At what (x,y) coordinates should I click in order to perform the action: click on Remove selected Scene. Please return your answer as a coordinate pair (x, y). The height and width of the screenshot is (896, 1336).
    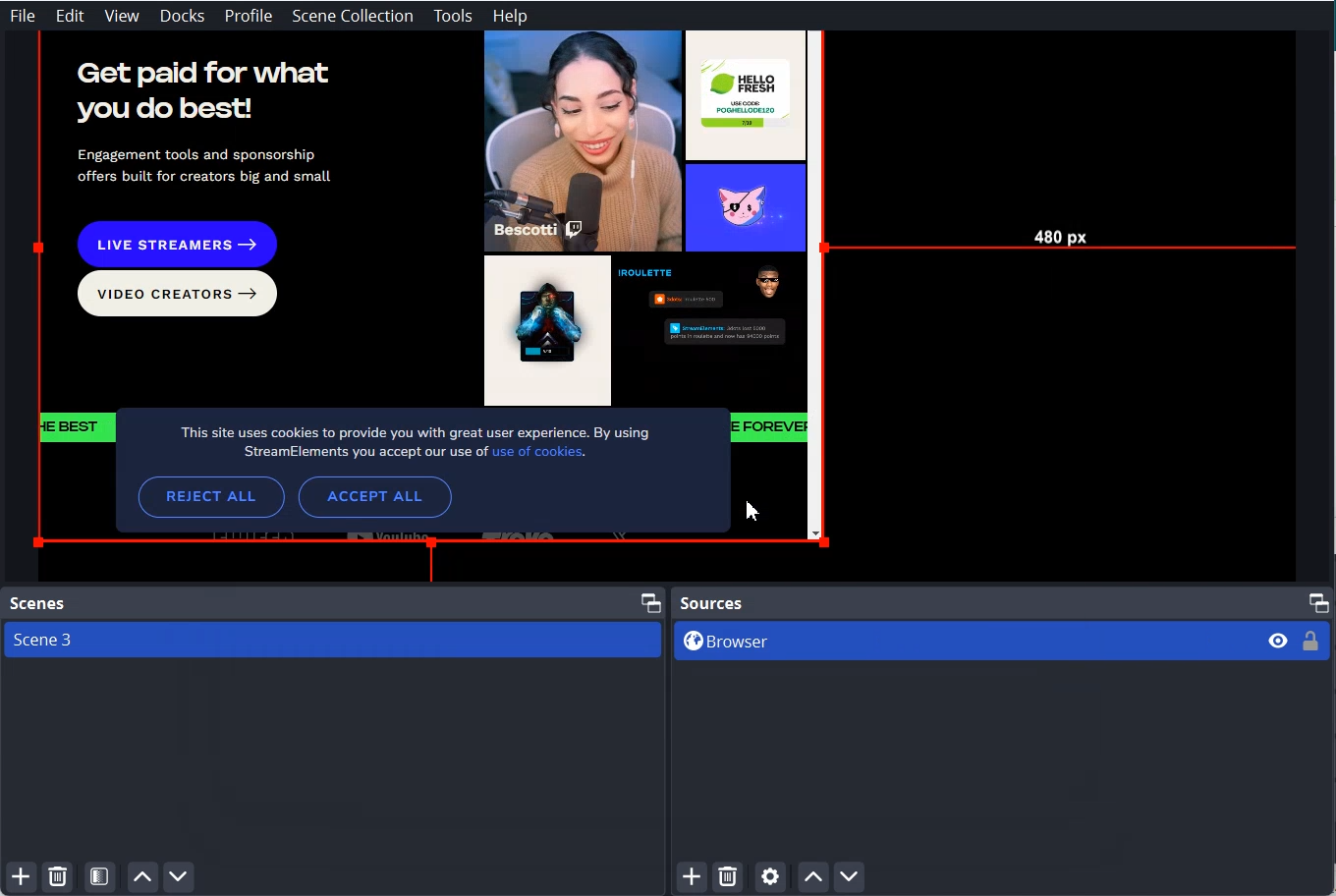
    Looking at the image, I should click on (58, 877).